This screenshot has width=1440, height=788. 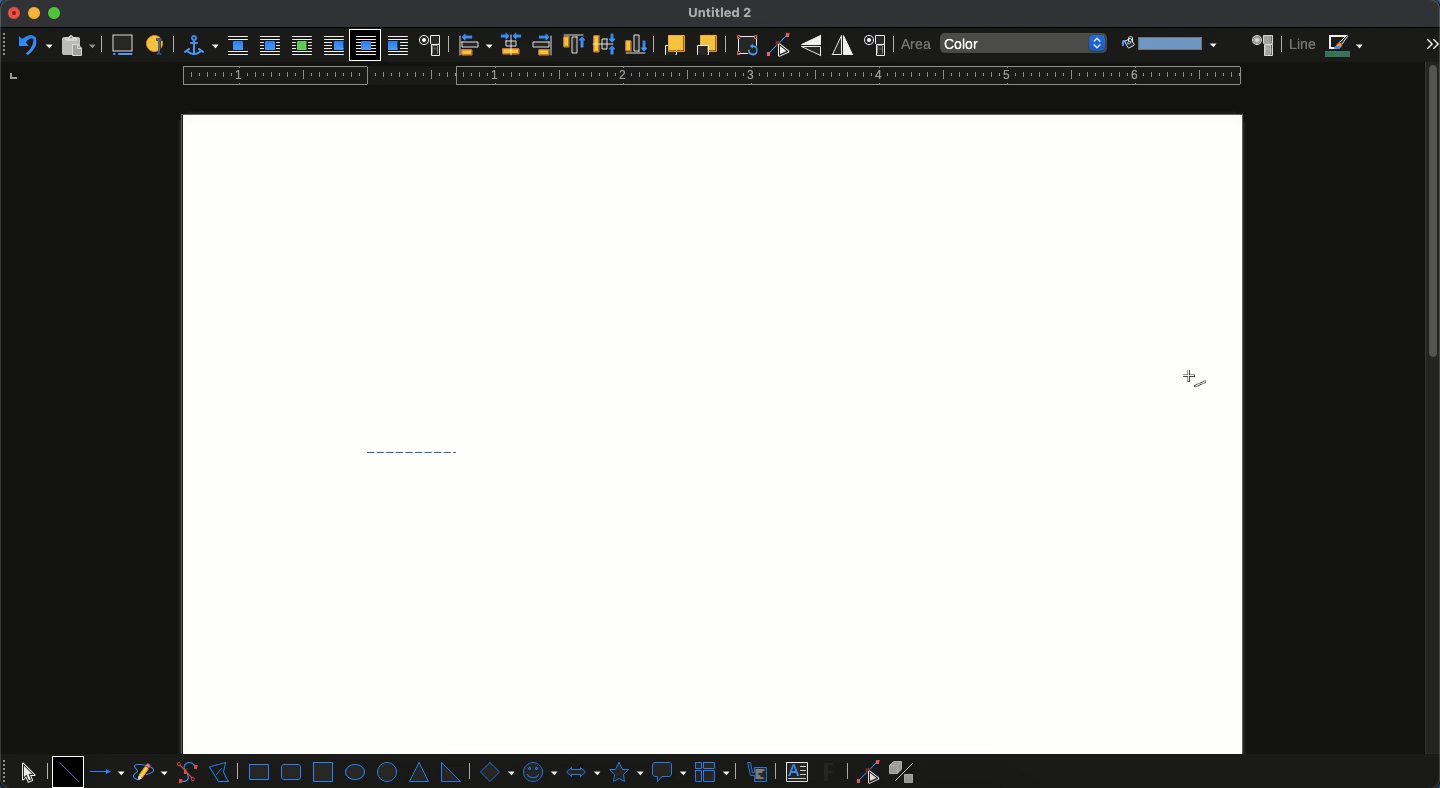 I want to click on block arrows, so click(x=582, y=770).